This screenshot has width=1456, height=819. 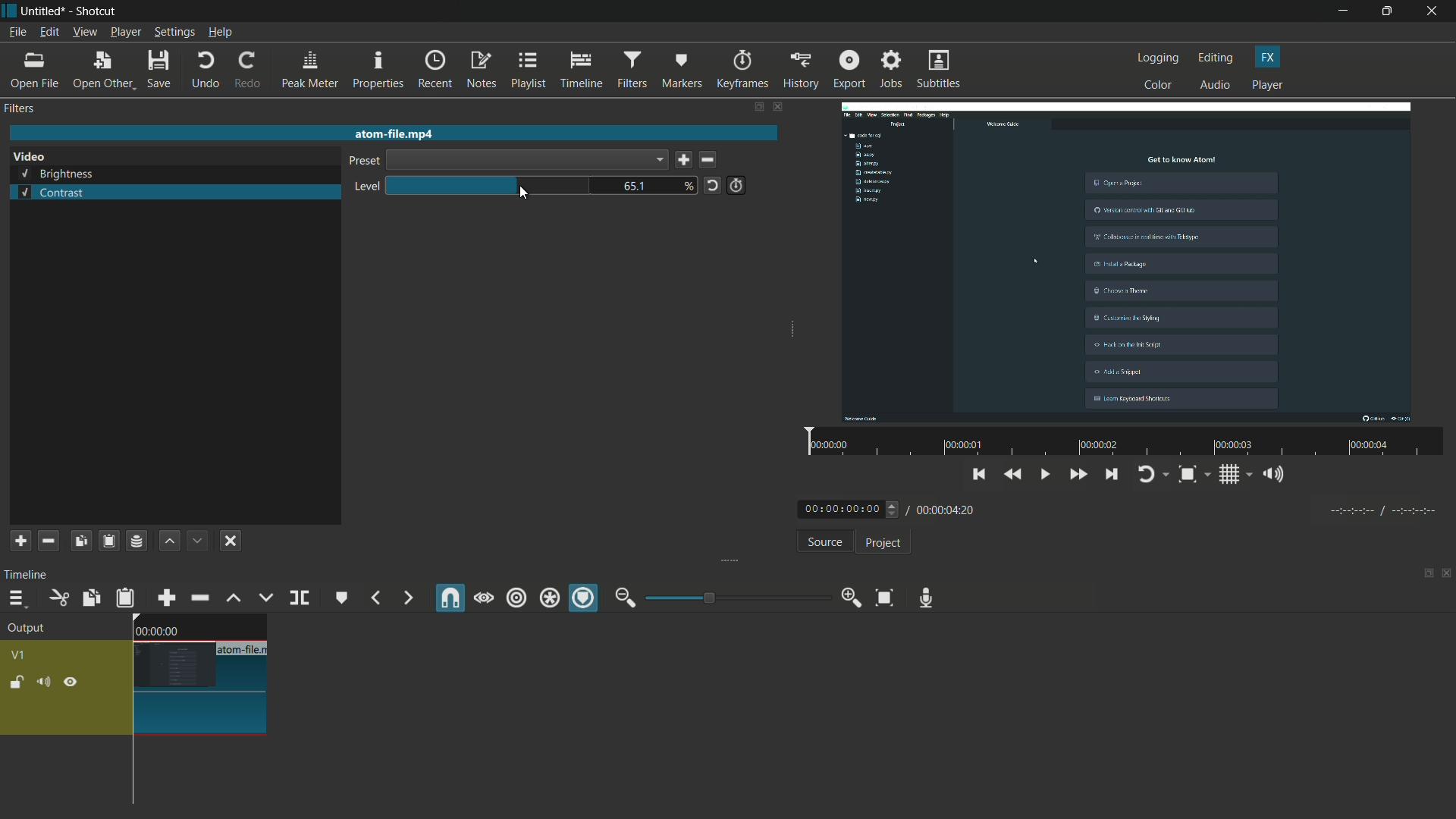 What do you see at coordinates (199, 541) in the screenshot?
I see `move filter down` at bounding box center [199, 541].